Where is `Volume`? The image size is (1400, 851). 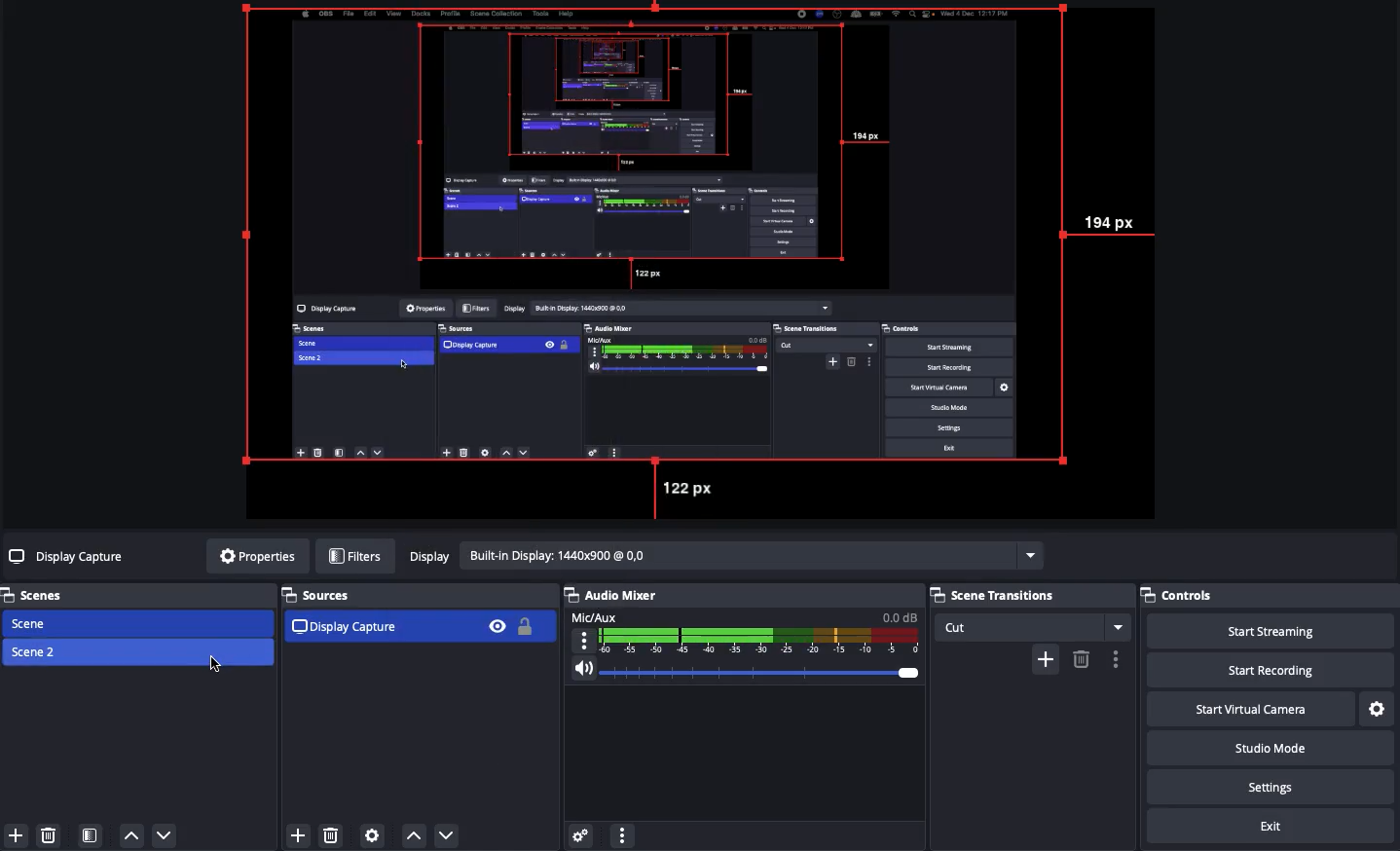
Volume is located at coordinates (747, 669).